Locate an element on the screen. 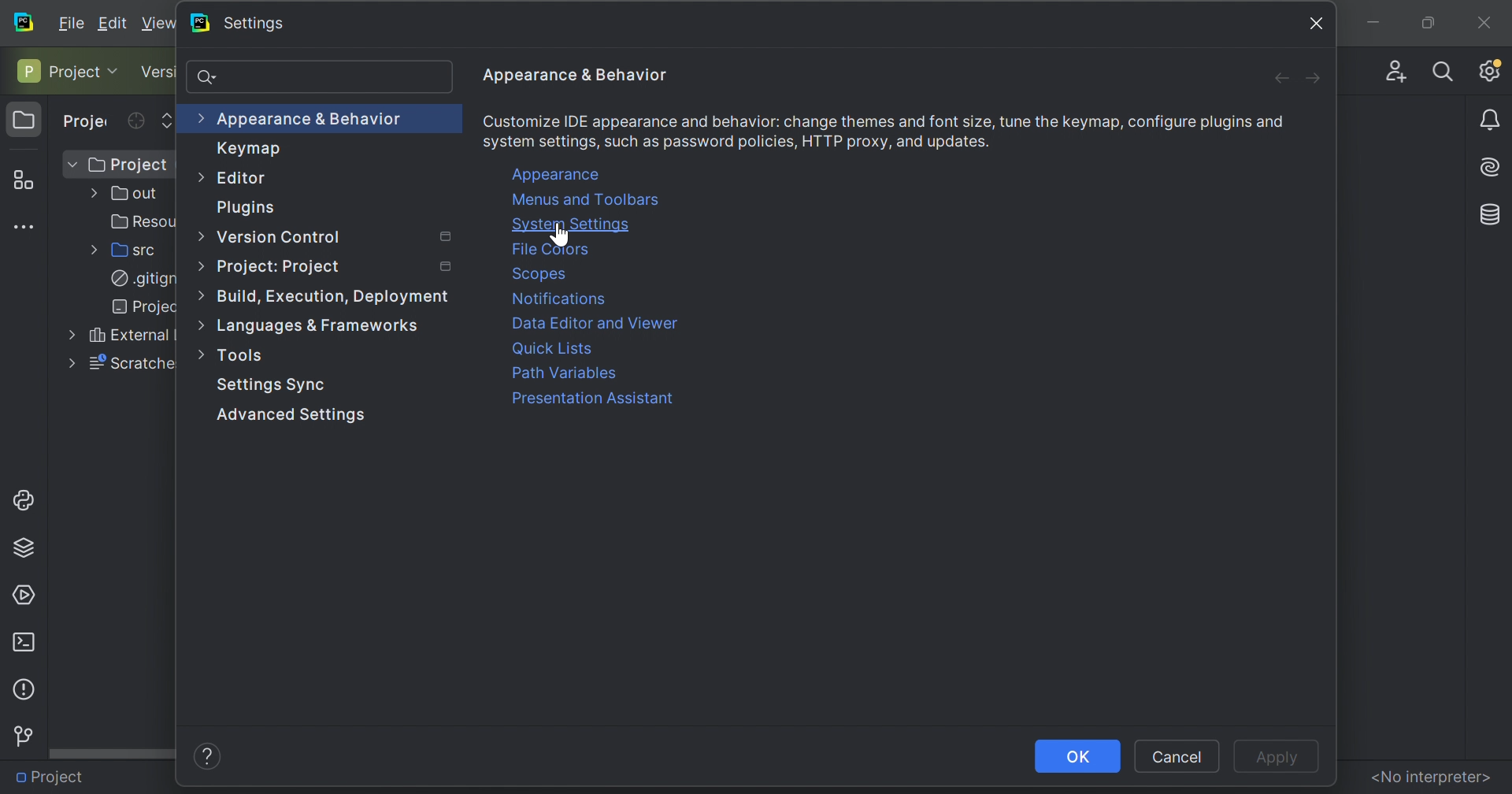 This screenshot has height=794, width=1512. PyCharm is located at coordinates (24, 21).